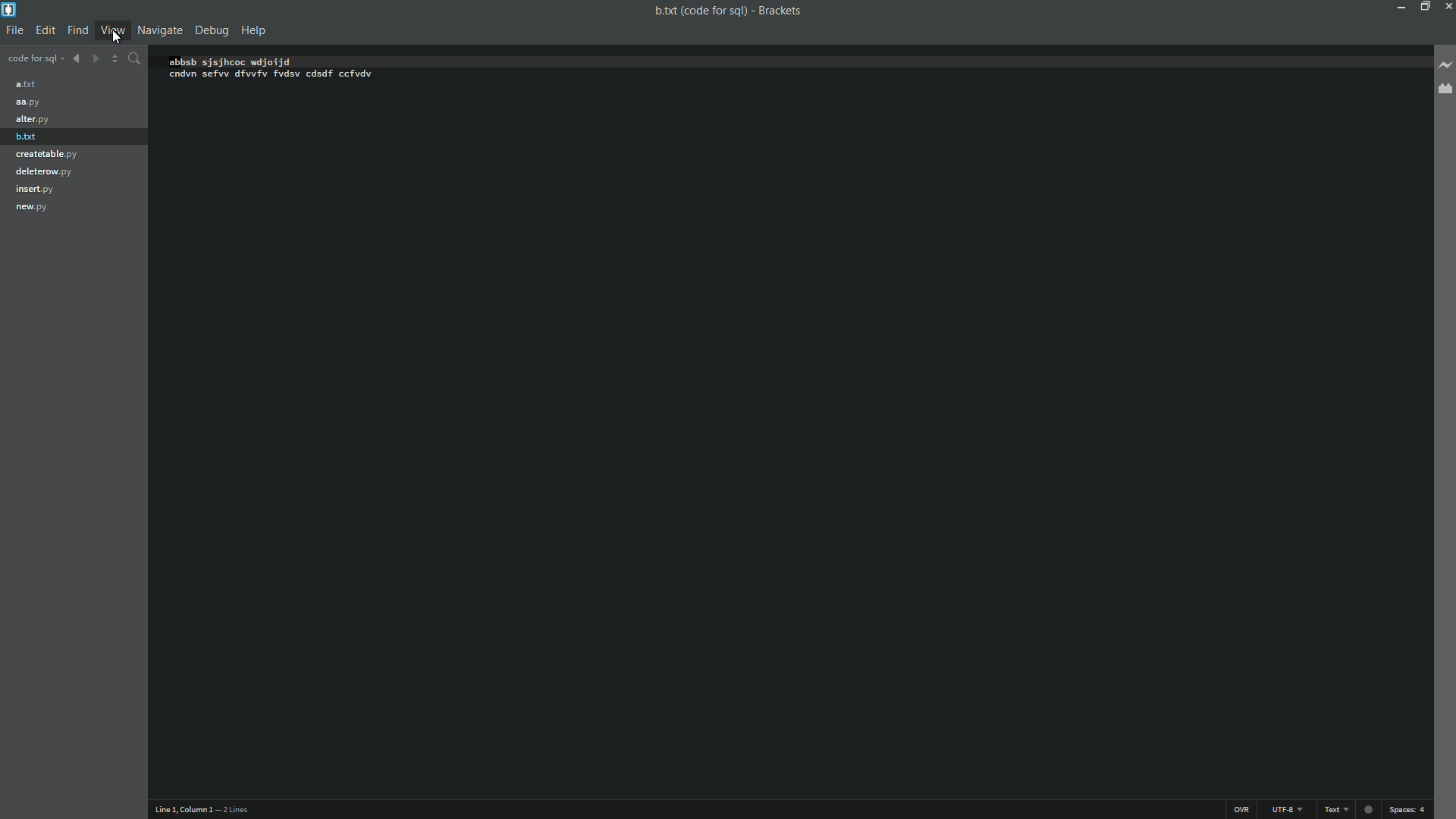  What do you see at coordinates (79, 30) in the screenshot?
I see `find menu` at bounding box center [79, 30].